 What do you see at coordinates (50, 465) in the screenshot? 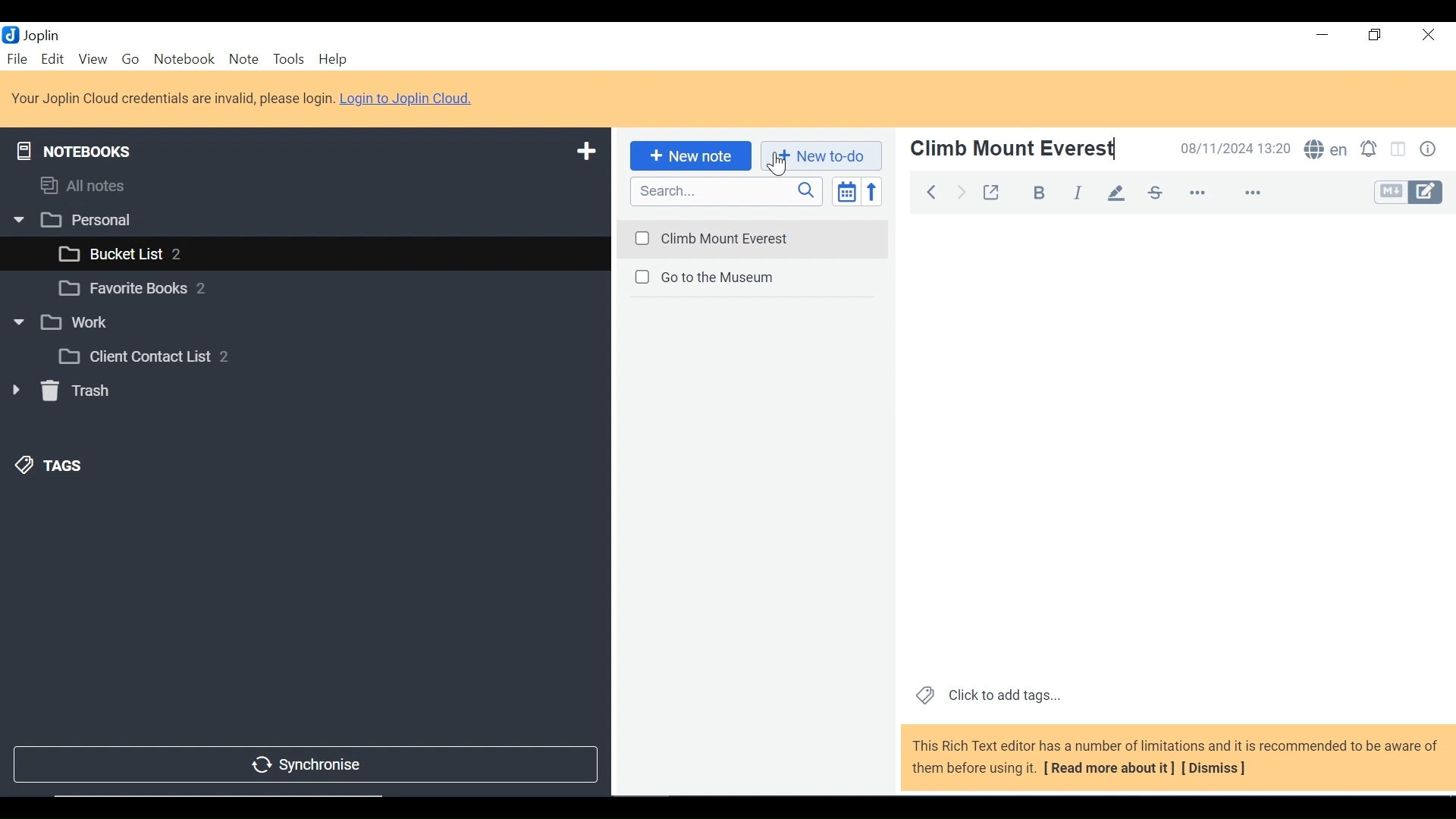
I see `Tags` at bounding box center [50, 465].